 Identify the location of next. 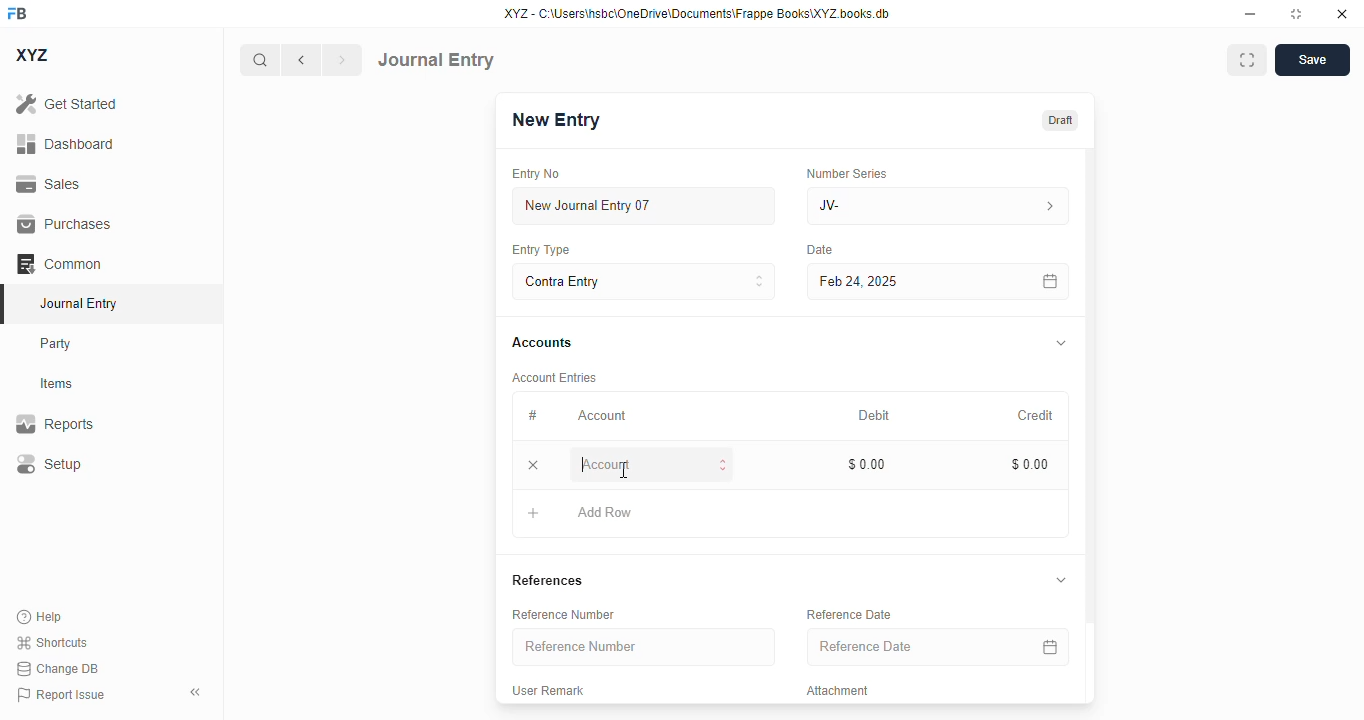
(343, 60).